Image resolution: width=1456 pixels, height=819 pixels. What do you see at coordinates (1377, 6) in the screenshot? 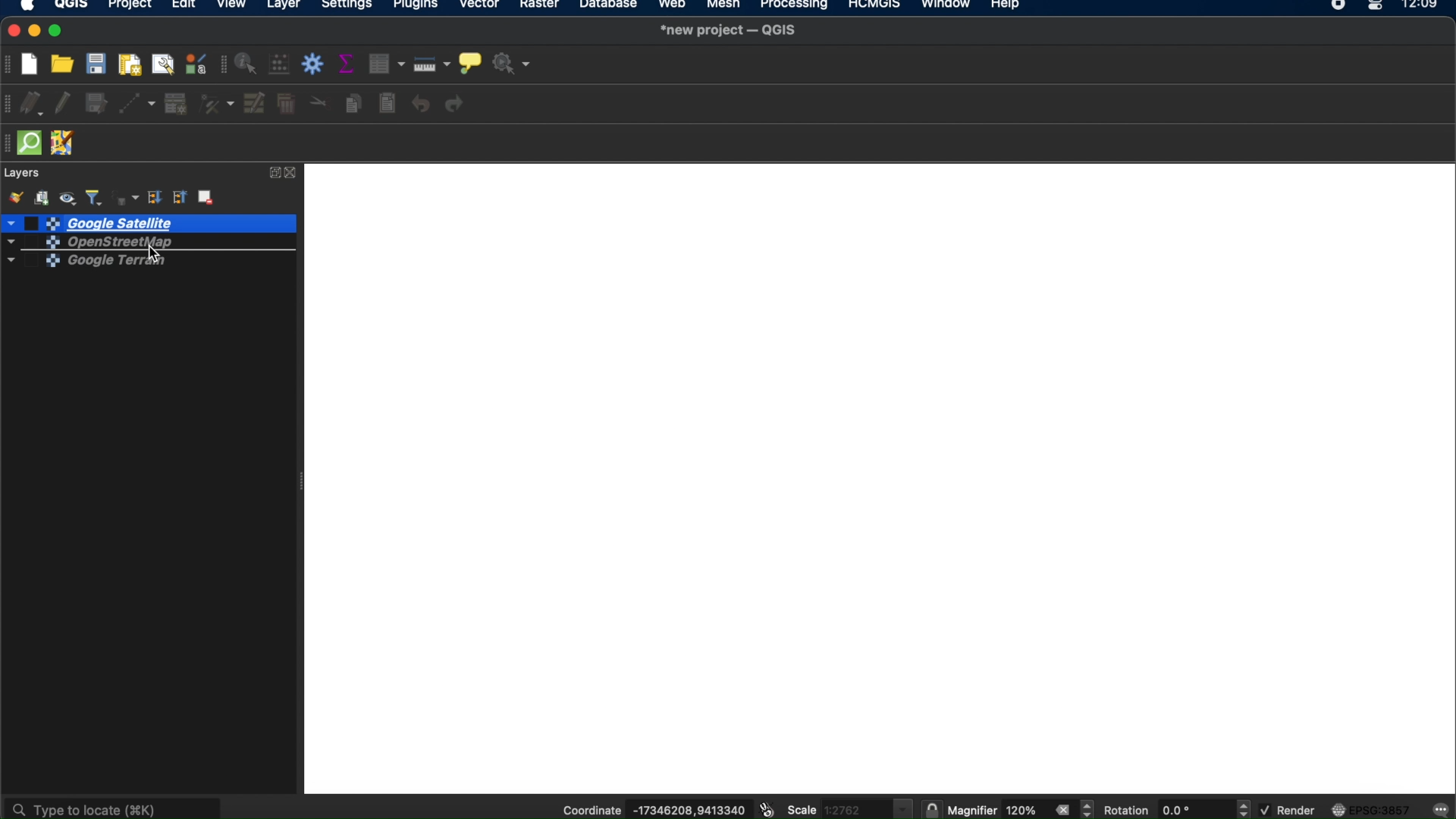
I see `control center` at bounding box center [1377, 6].